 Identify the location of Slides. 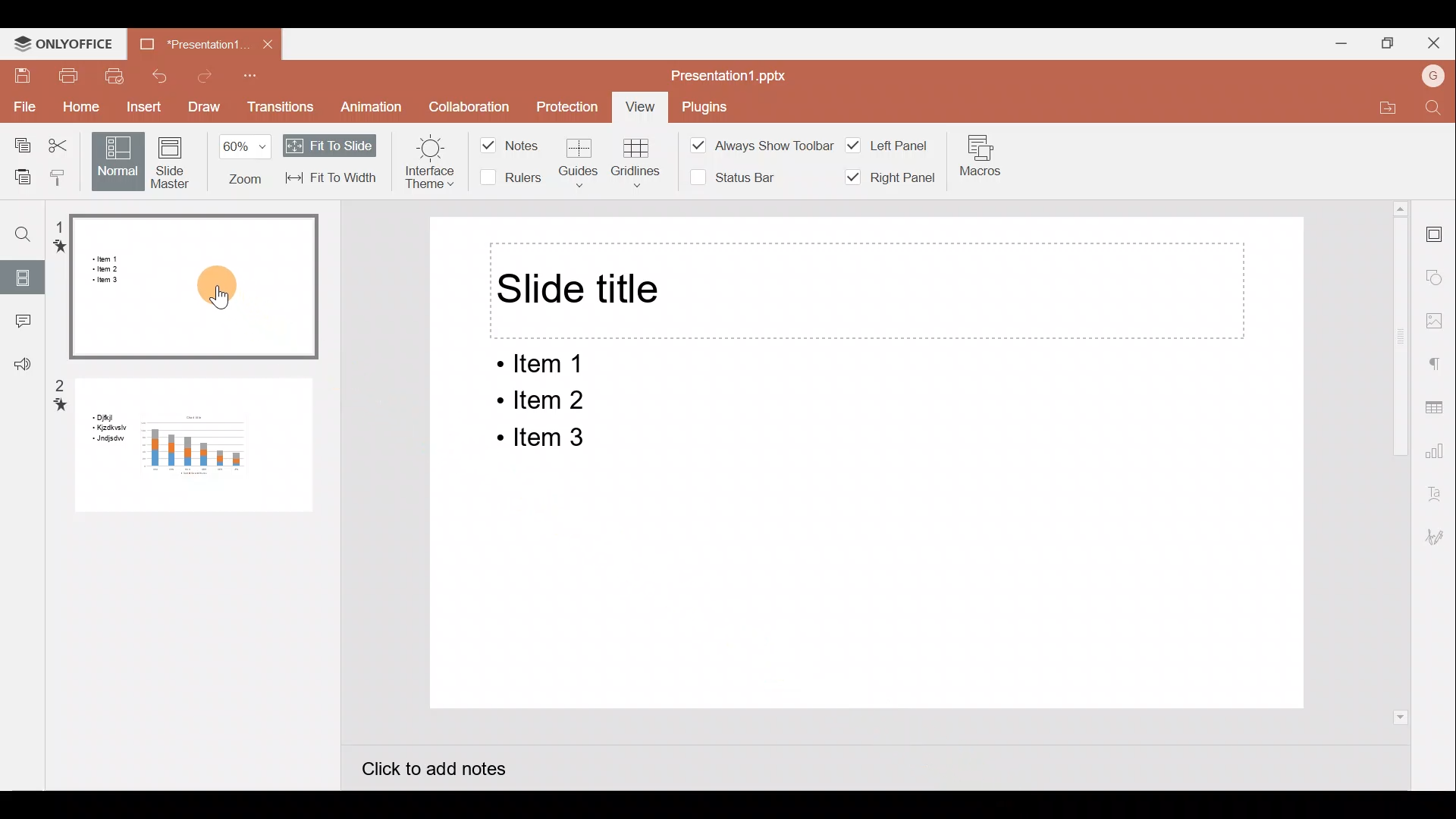
(24, 280).